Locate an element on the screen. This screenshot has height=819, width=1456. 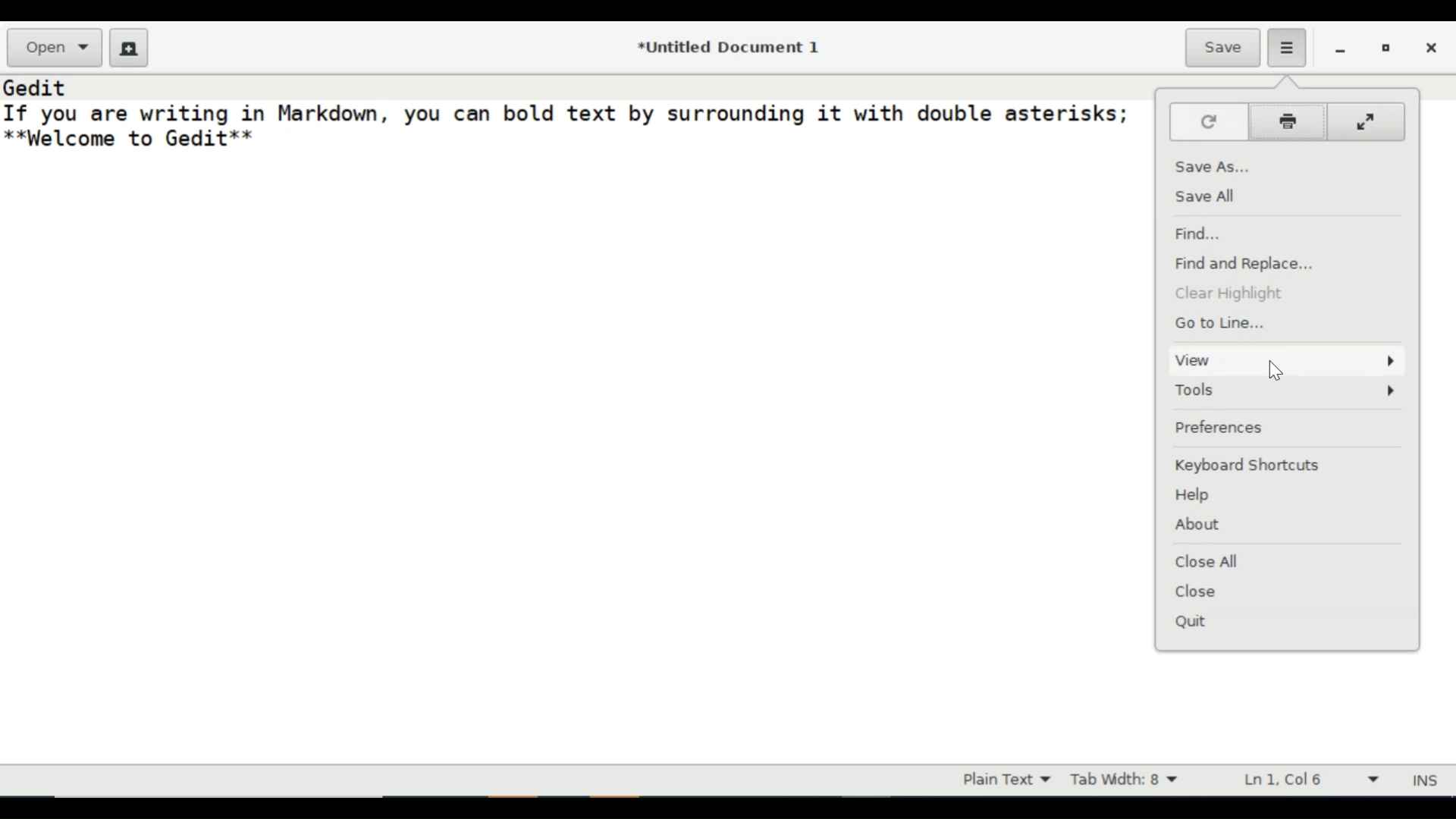
Tab Width is located at coordinates (1136, 780).